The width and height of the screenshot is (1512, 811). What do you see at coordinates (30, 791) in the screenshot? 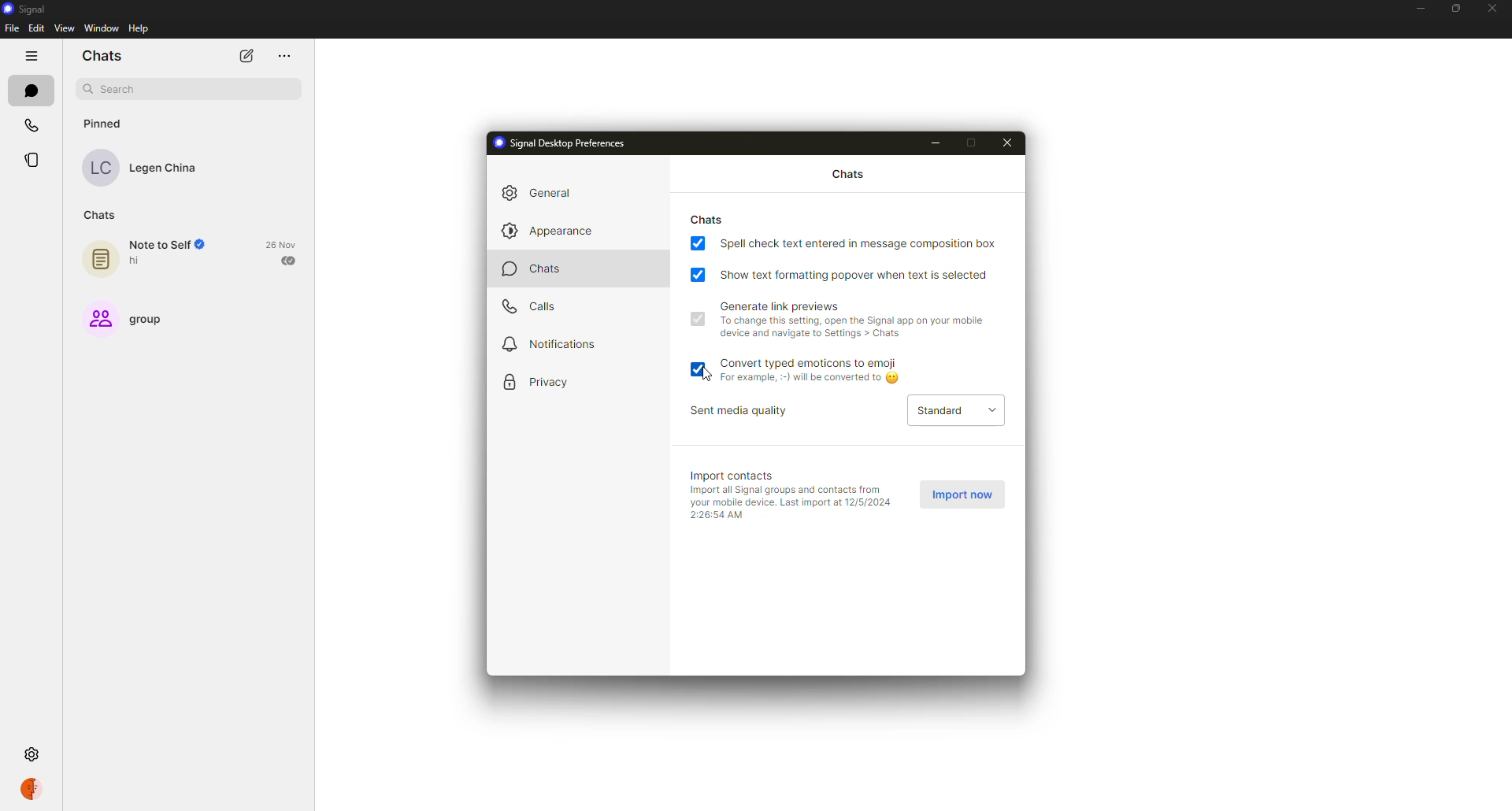
I see `profile` at bounding box center [30, 791].